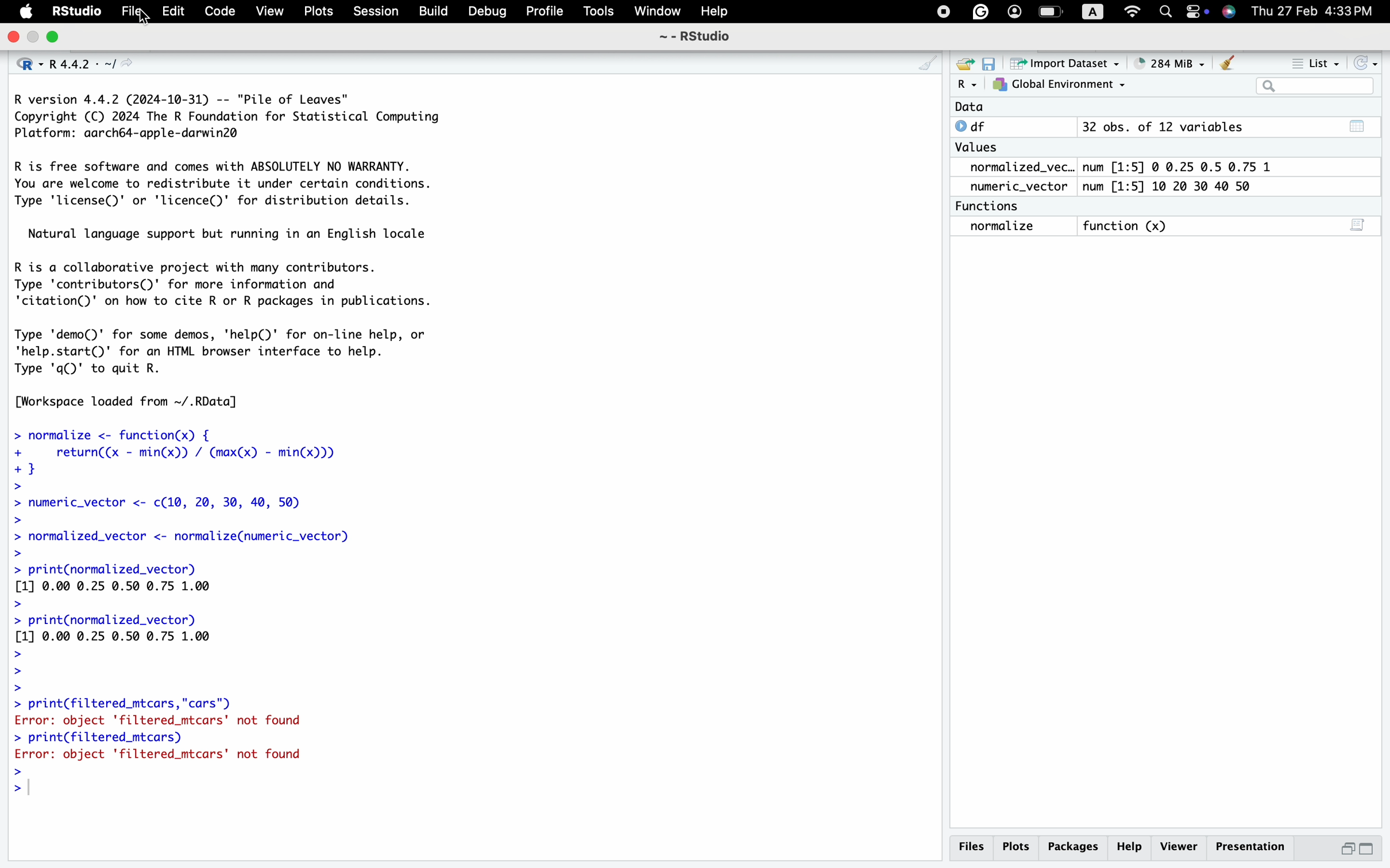  Describe the element at coordinates (1193, 11) in the screenshot. I see `battery` at that location.